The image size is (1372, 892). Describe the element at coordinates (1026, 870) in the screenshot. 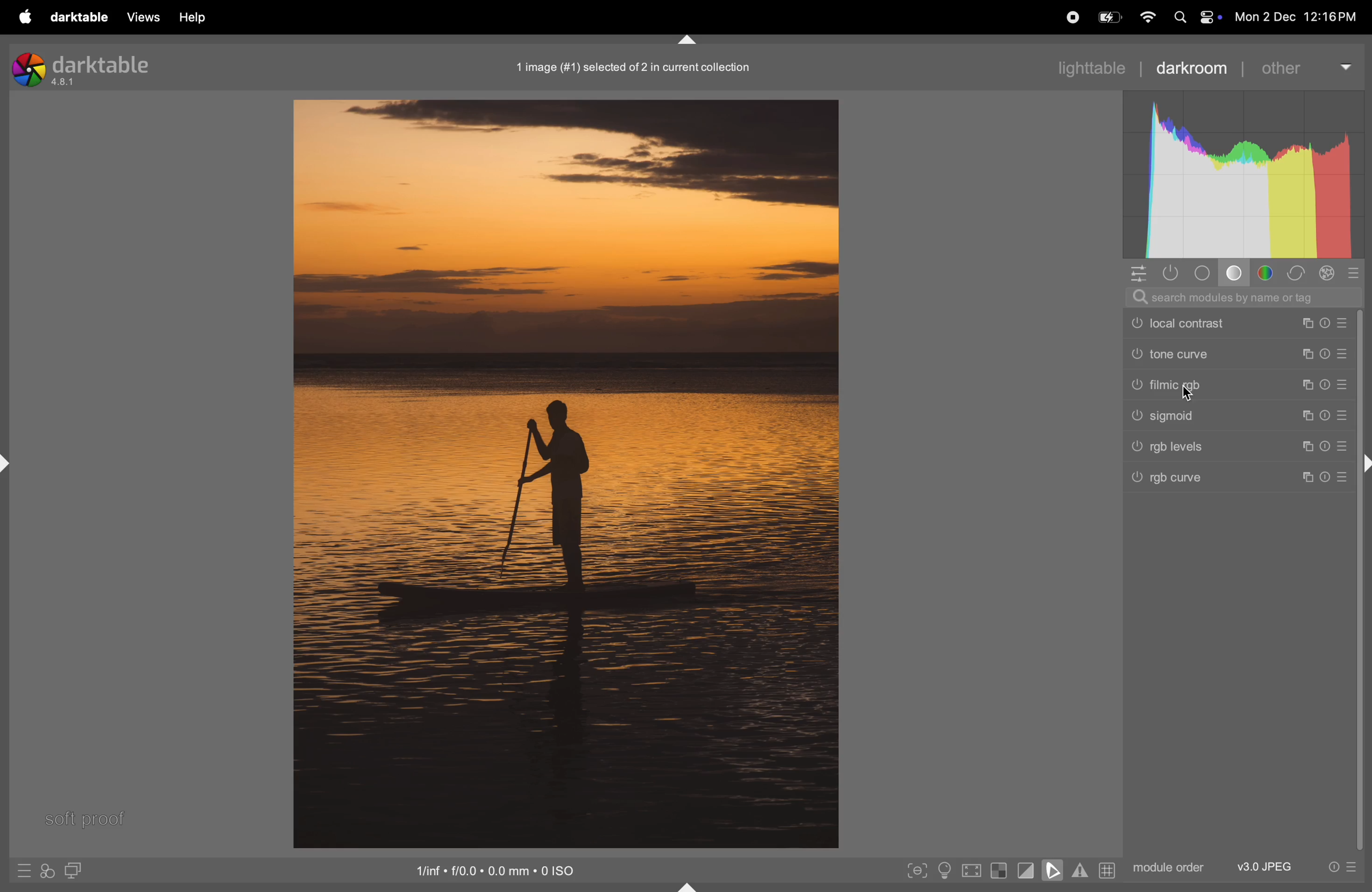

I see `toggle clipping indications` at that location.